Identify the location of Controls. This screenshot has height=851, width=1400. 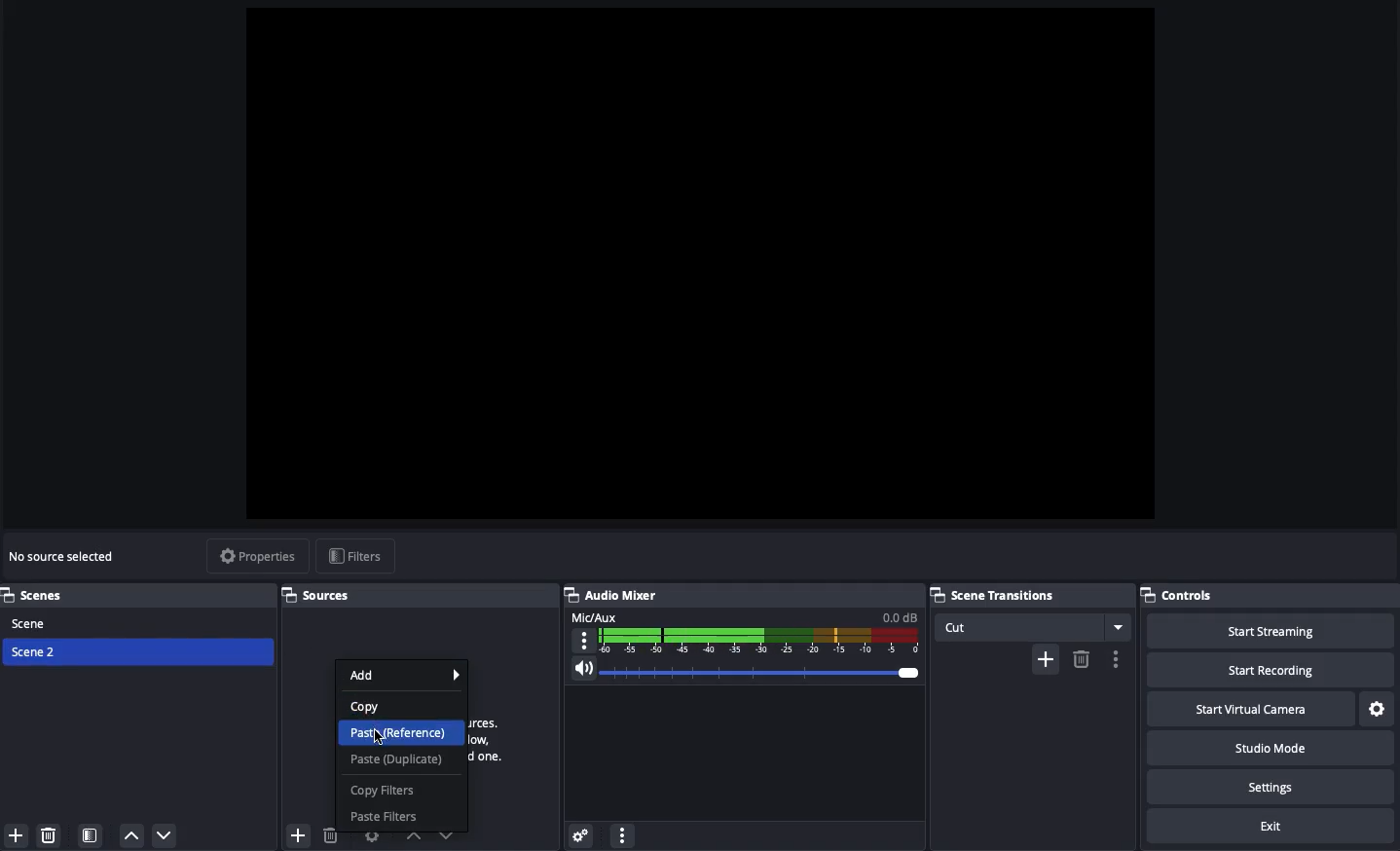
(1179, 595).